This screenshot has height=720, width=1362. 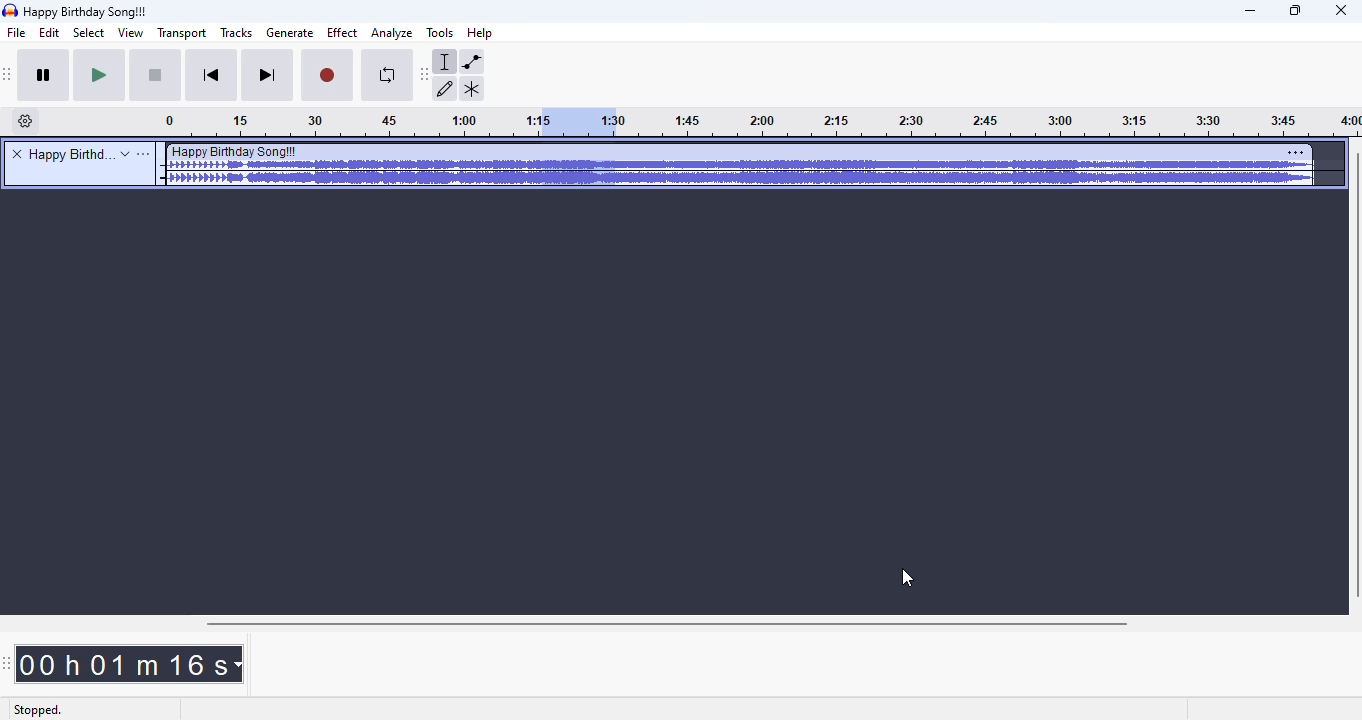 What do you see at coordinates (49, 33) in the screenshot?
I see `edit` at bounding box center [49, 33].